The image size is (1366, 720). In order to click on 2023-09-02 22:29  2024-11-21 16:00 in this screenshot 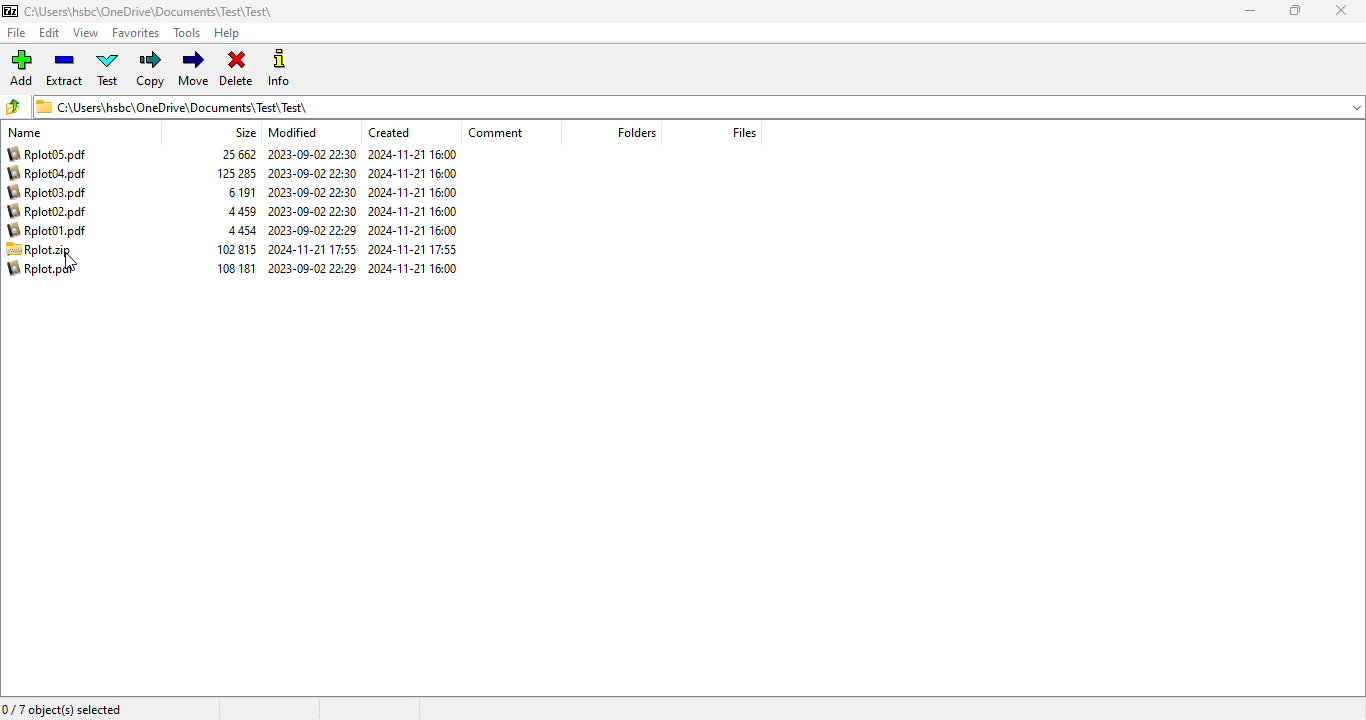, I will do `click(365, 268)`.